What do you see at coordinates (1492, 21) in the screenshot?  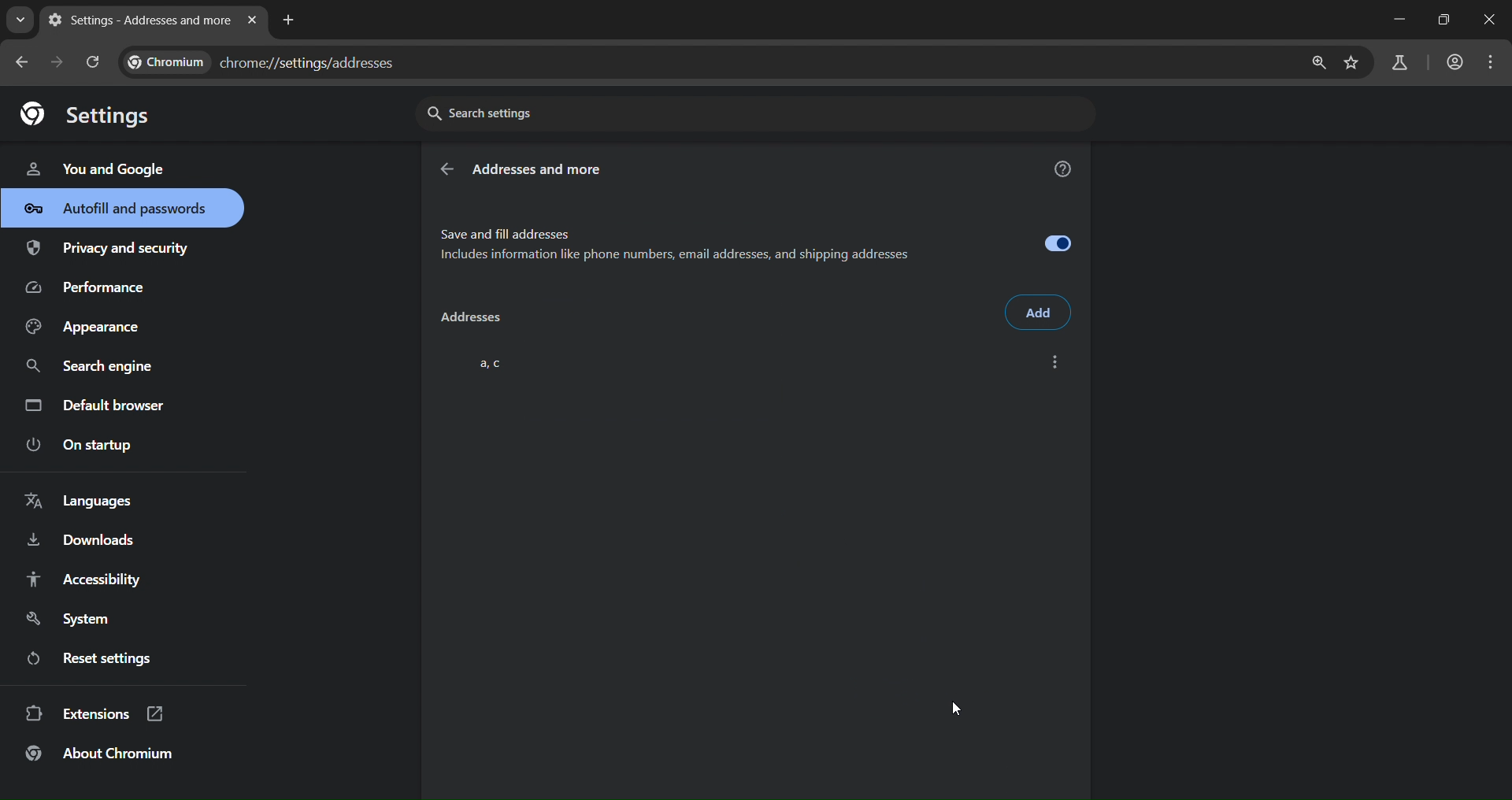 I see `close` at bounding box center [1492, 21].